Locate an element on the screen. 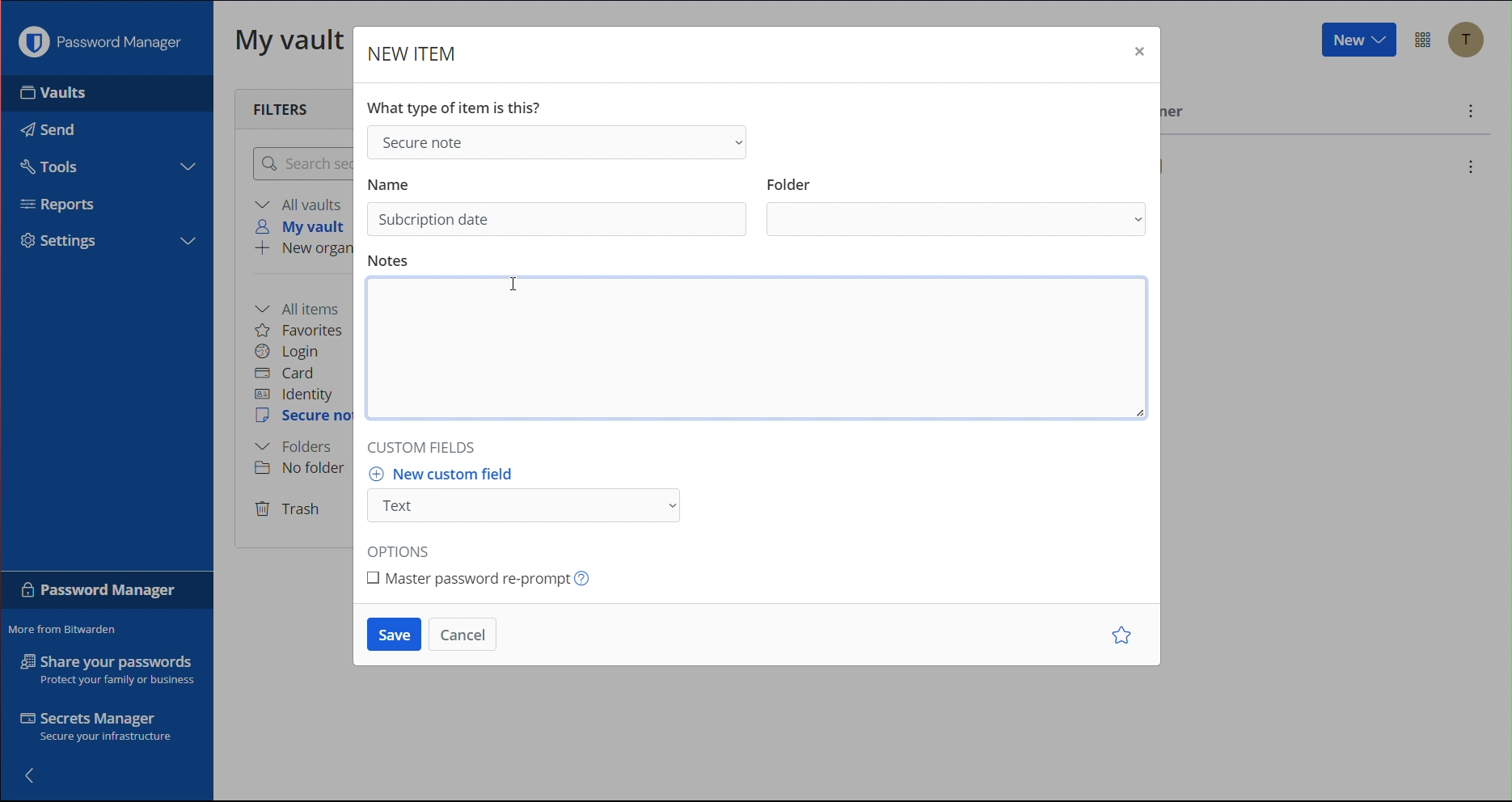  My Vault is located at coordinates (290, 39).